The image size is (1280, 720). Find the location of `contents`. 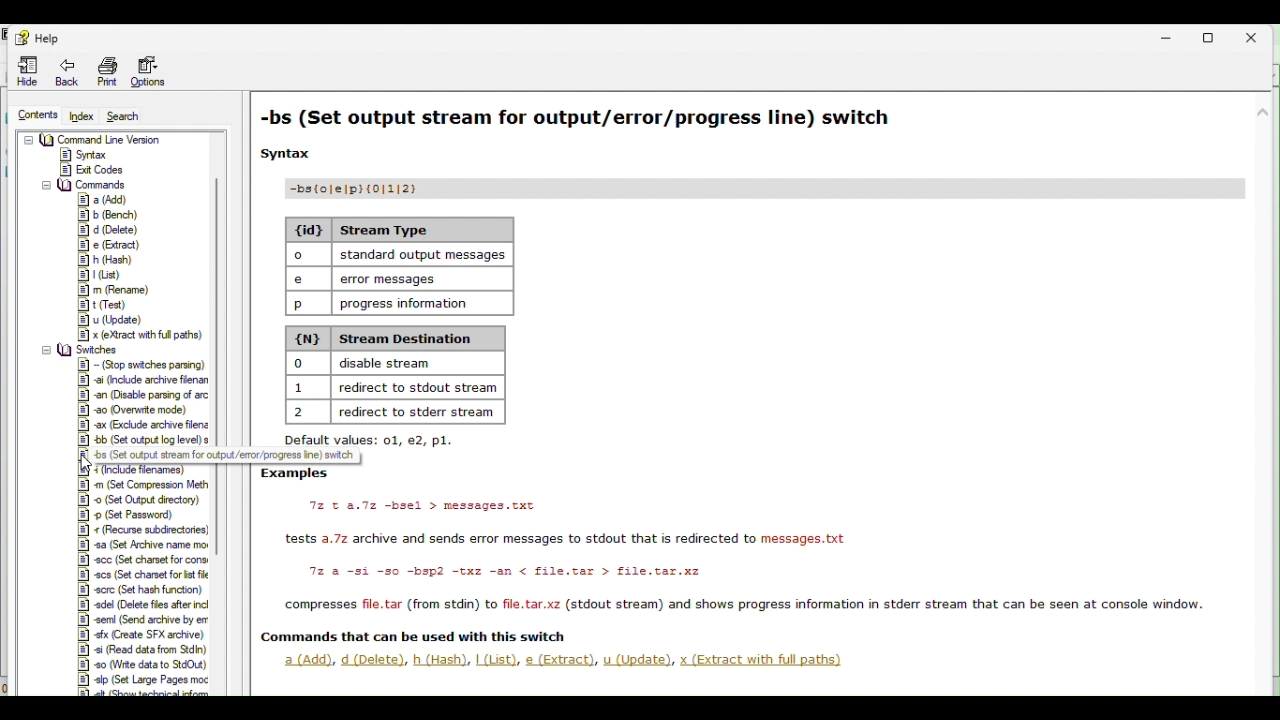

contents is located at coordinates (35, 116).